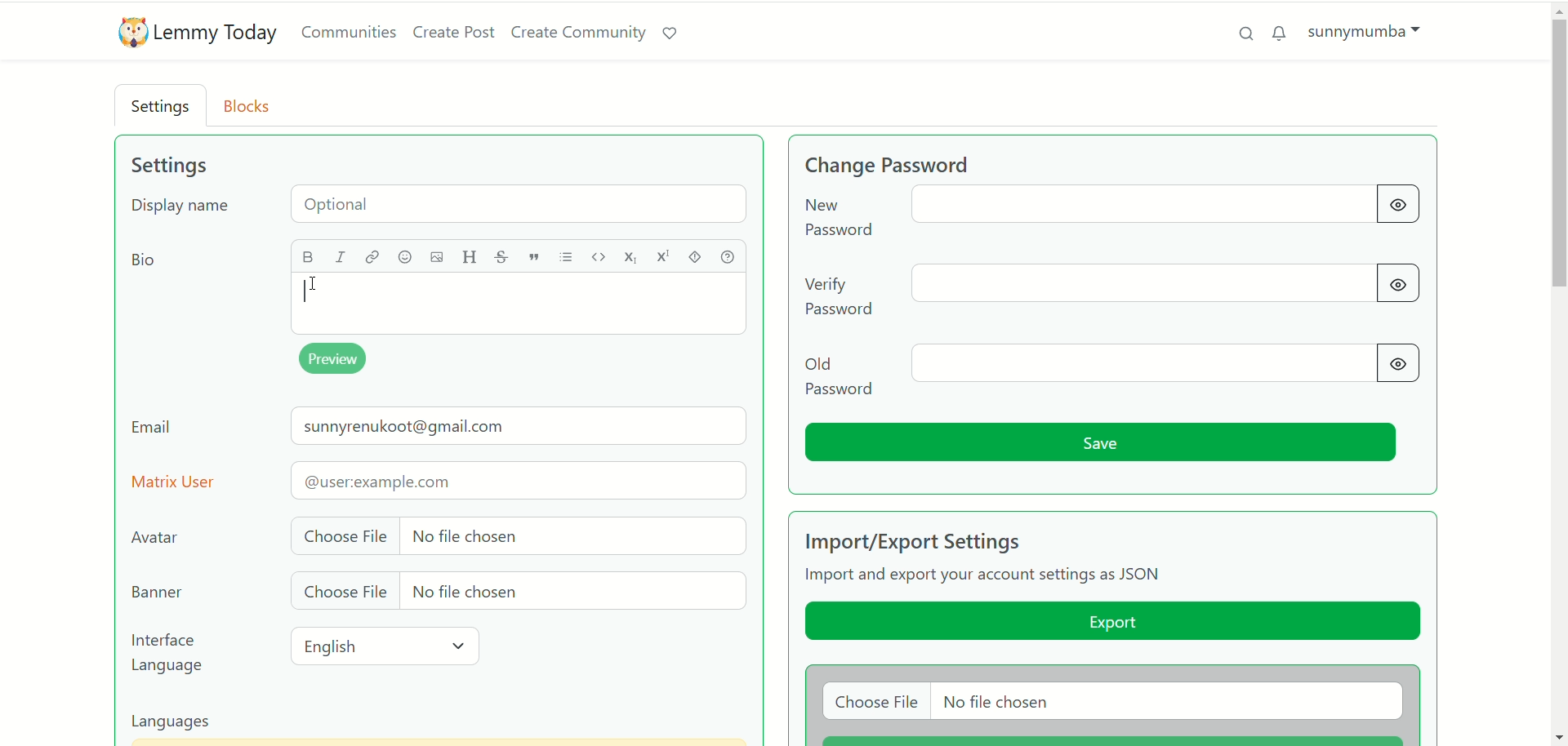 This screenshot has height=746, width=1568. What do you see at coordinates (163, 108) in the screenshot?
I see `settings` at bounding box center [163, 108].